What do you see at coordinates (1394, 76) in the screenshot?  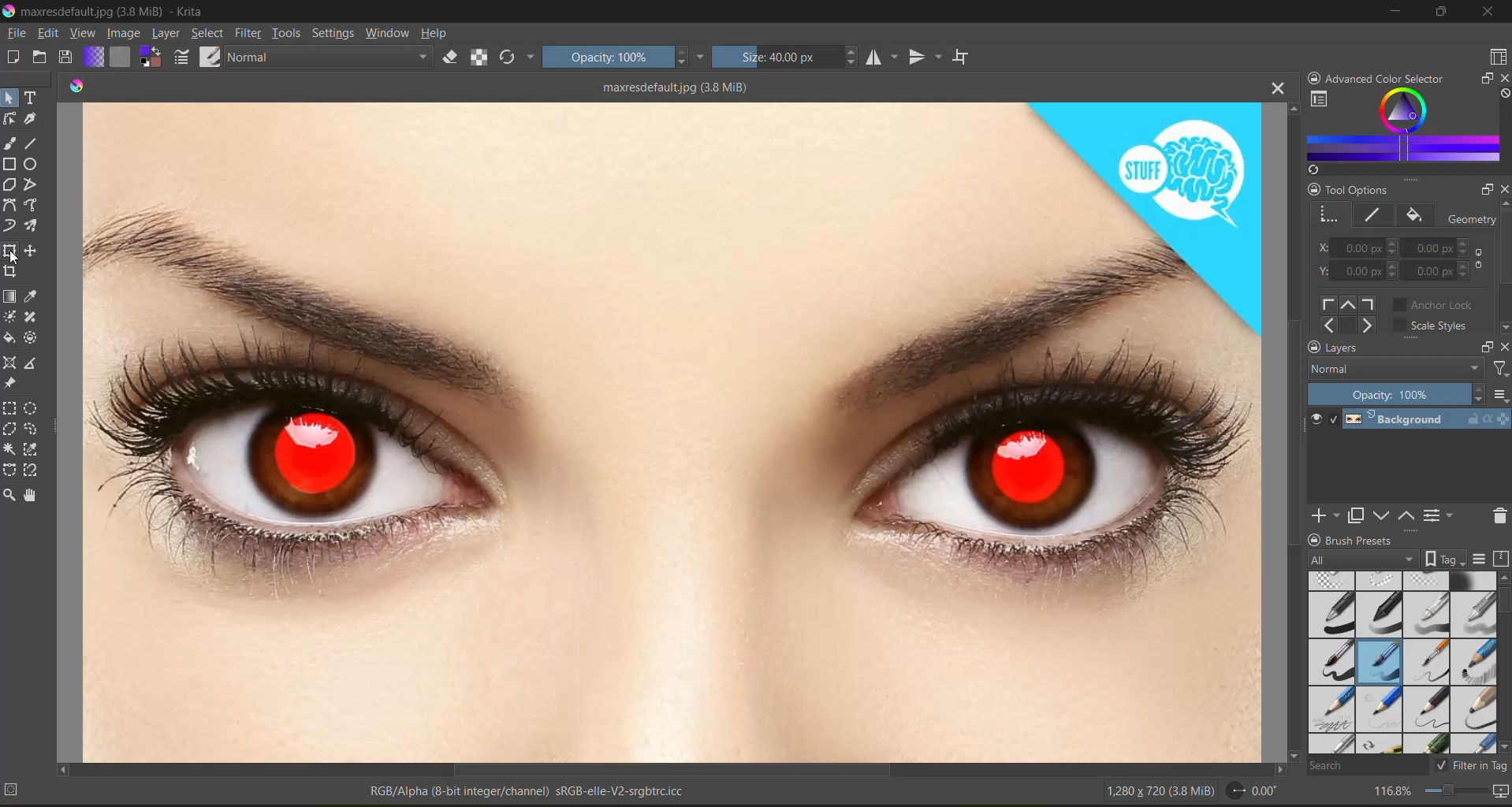 I see `Advanced color selector` at bounding box center [1394, 76].